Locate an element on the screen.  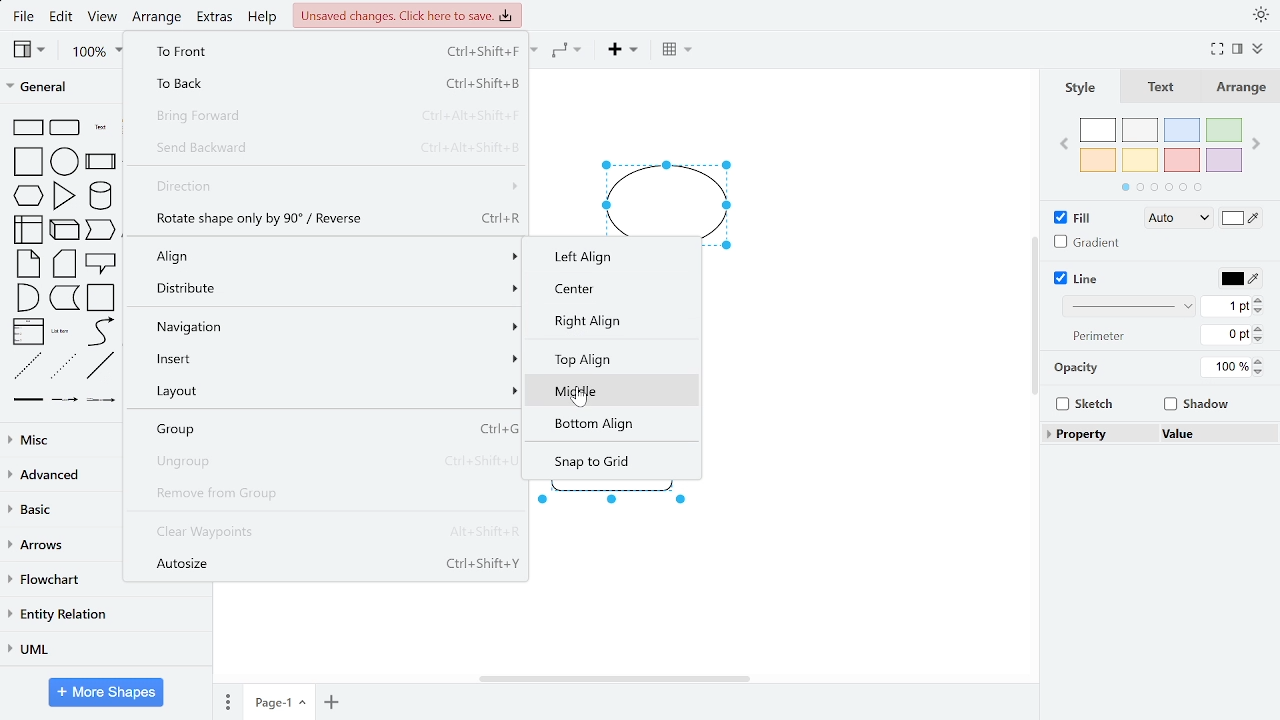
process is located at coordinates (101, 161).